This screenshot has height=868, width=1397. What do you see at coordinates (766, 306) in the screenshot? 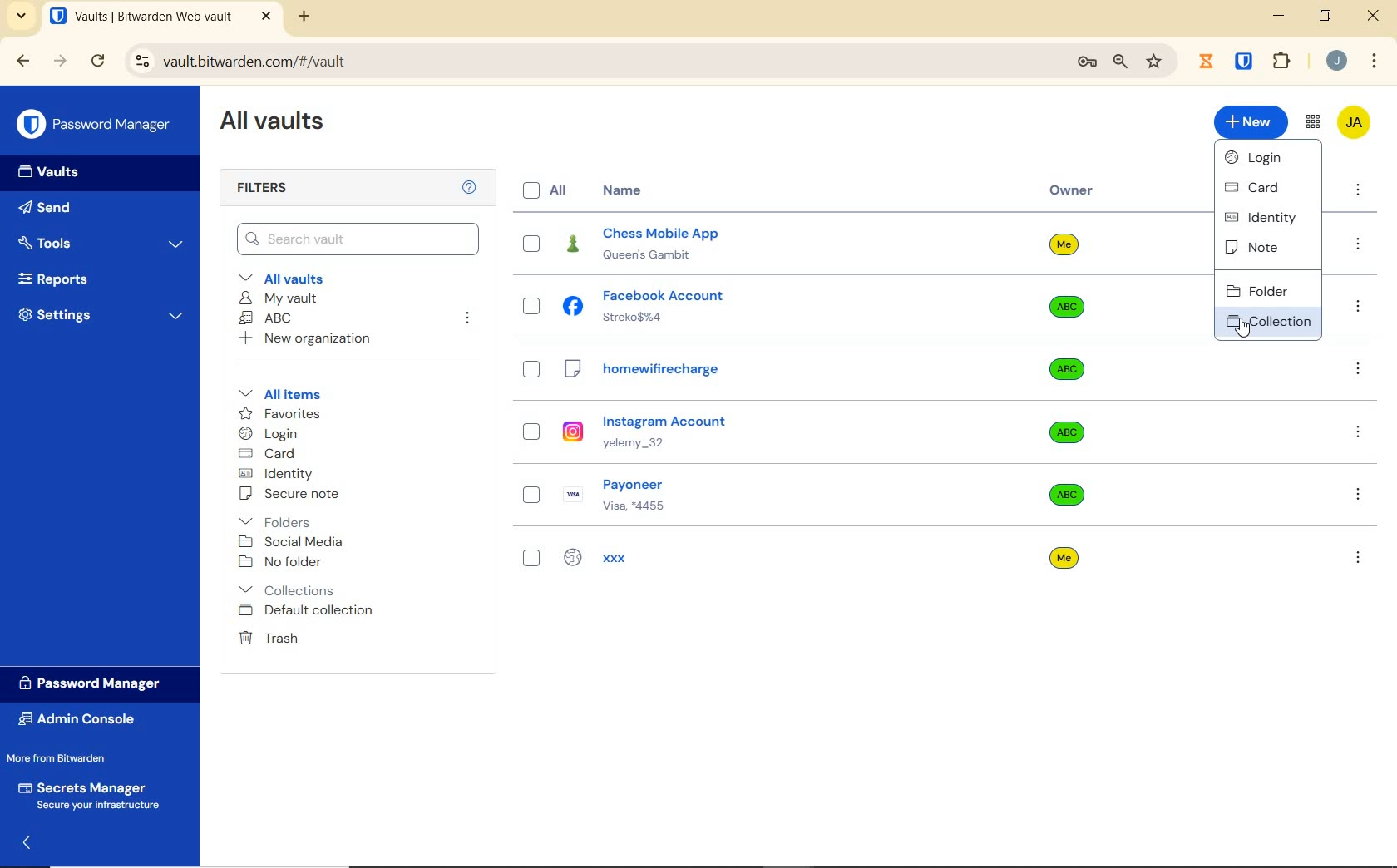
I see `facebook account` at bounding box center [766, 306].